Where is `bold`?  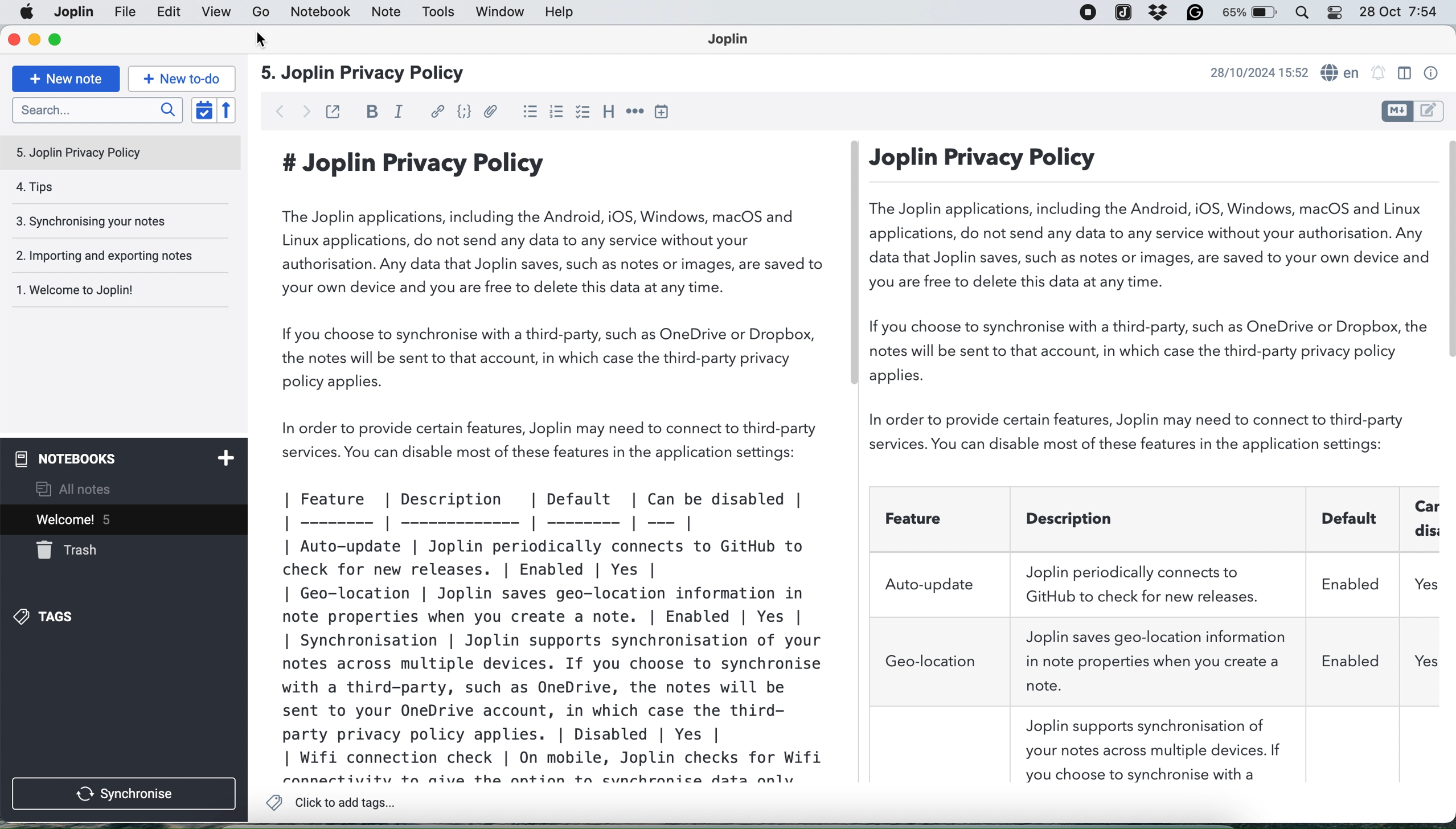
bold is located at coordinates (372, 113).